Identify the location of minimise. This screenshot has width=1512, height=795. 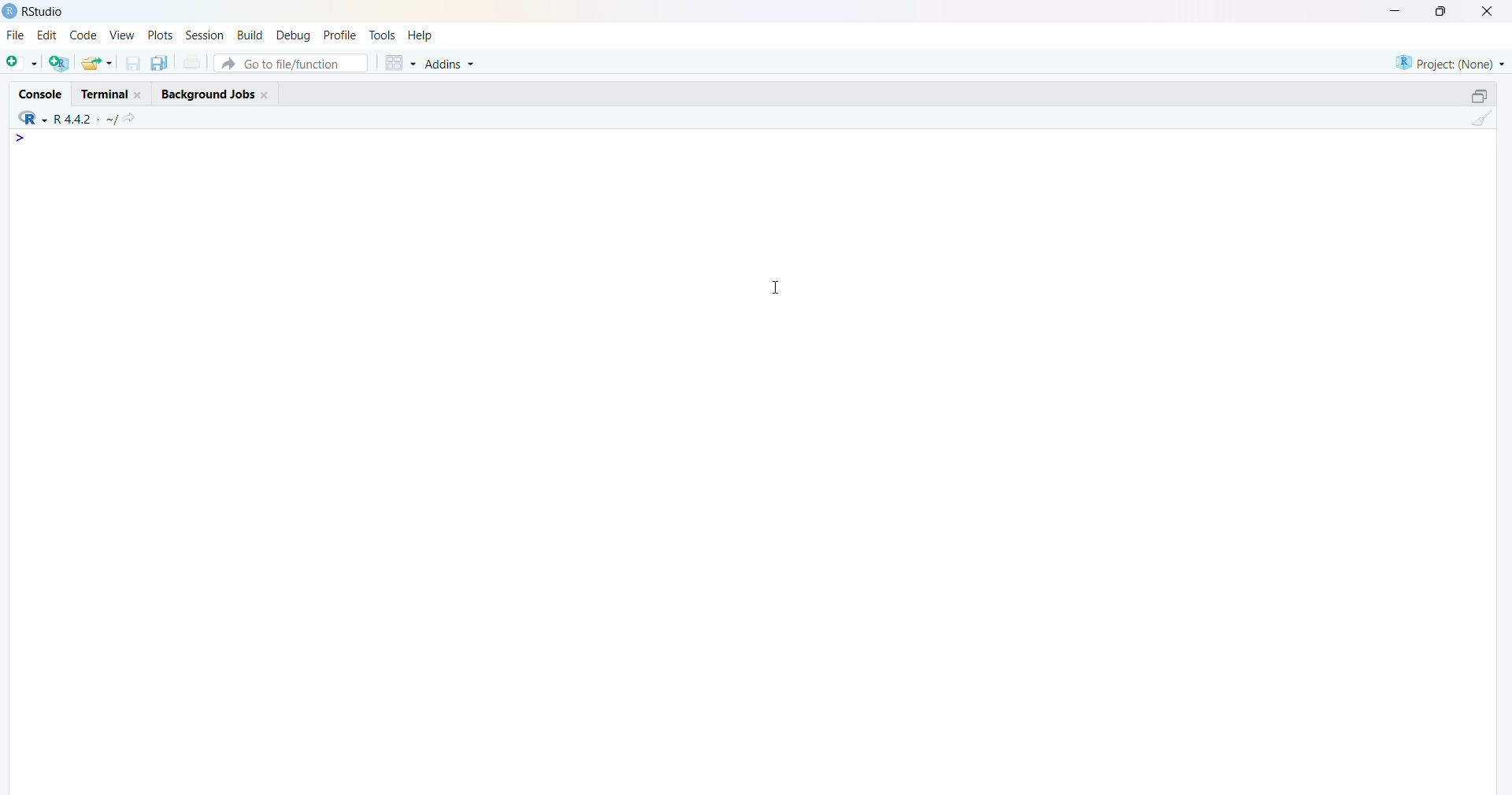
(1397, 9).